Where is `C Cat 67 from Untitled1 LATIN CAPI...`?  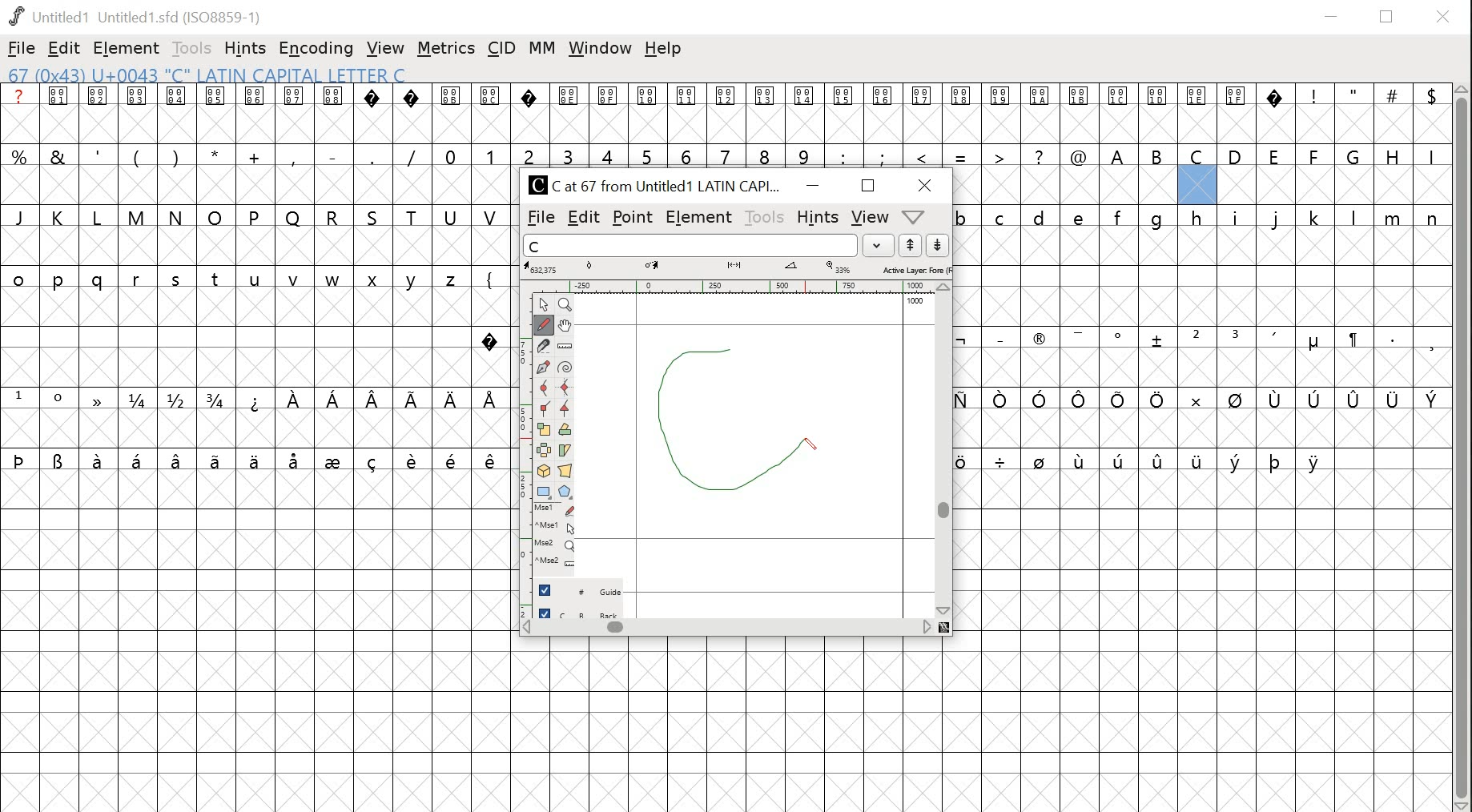
C Cat 67 from Untitled1 LATIN CAPI... is located at coordinates (658, 184).